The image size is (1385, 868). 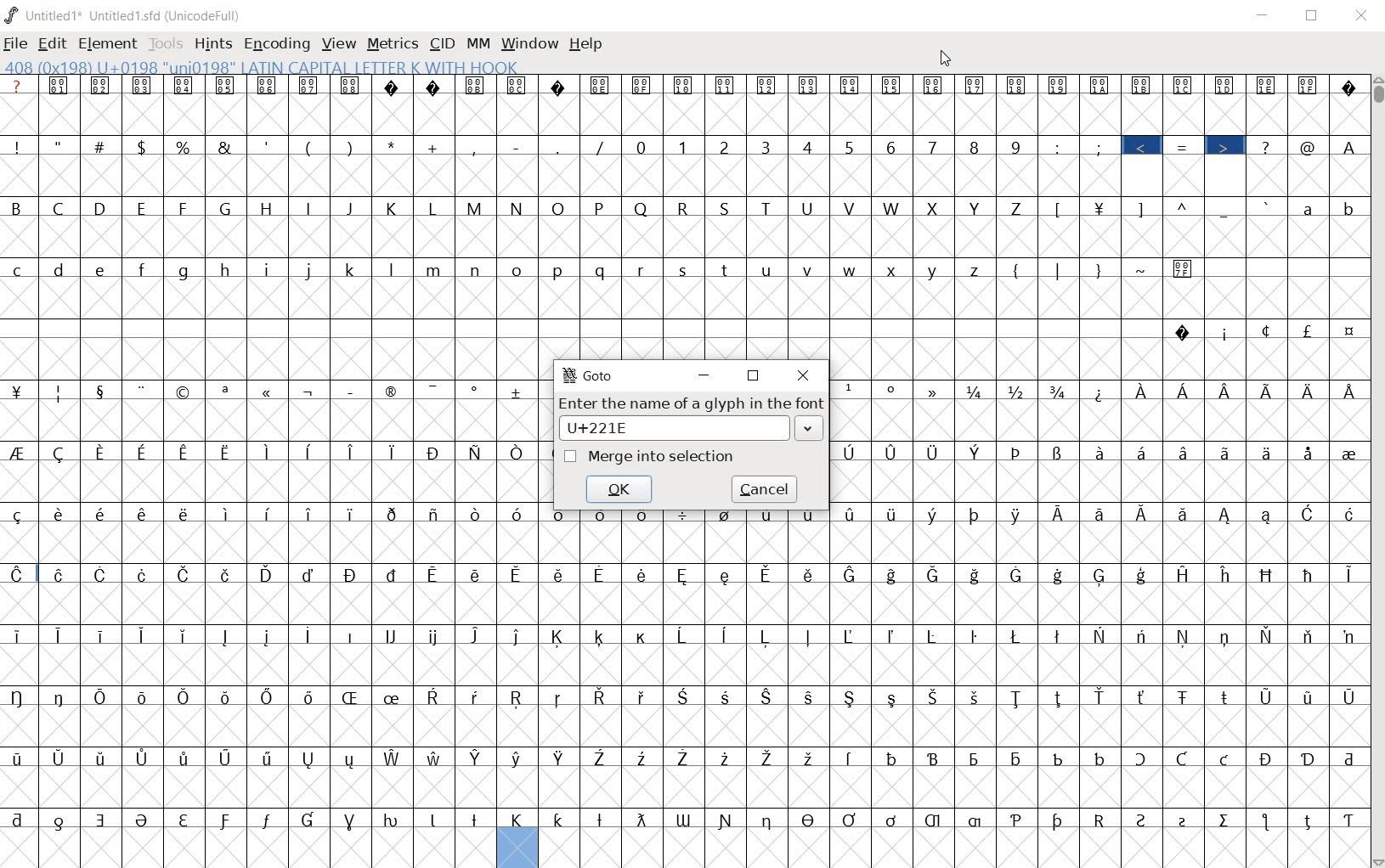 I want to click on U+221E, so click(x=671, y=427).